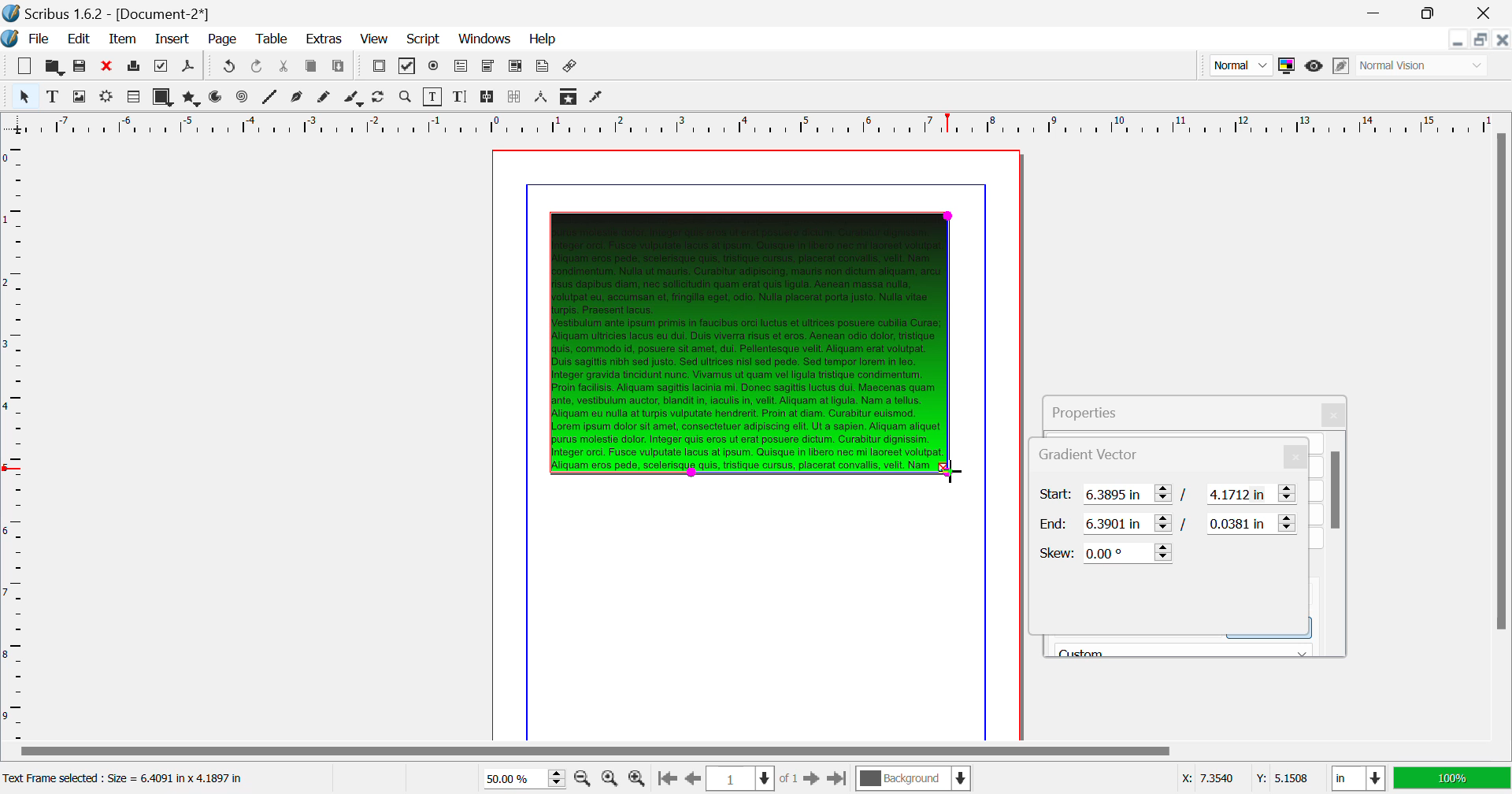  Describe the element at coordinates (515, 68) in the screenshot. I see `Pdf List Box` at that location.